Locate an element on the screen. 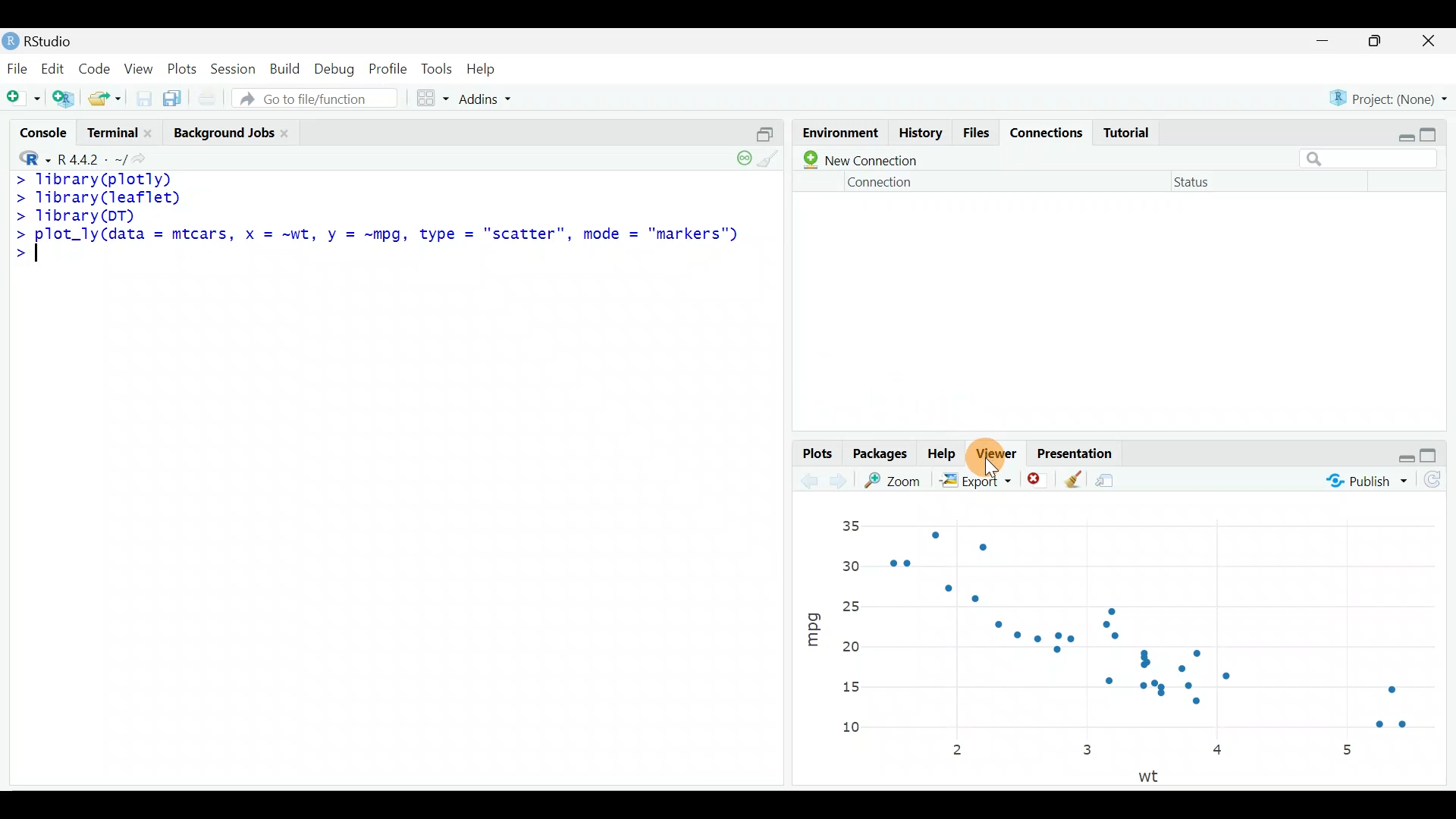 This screenshot has height=819, width=1456. zoom is located at coordinates (898, 483).